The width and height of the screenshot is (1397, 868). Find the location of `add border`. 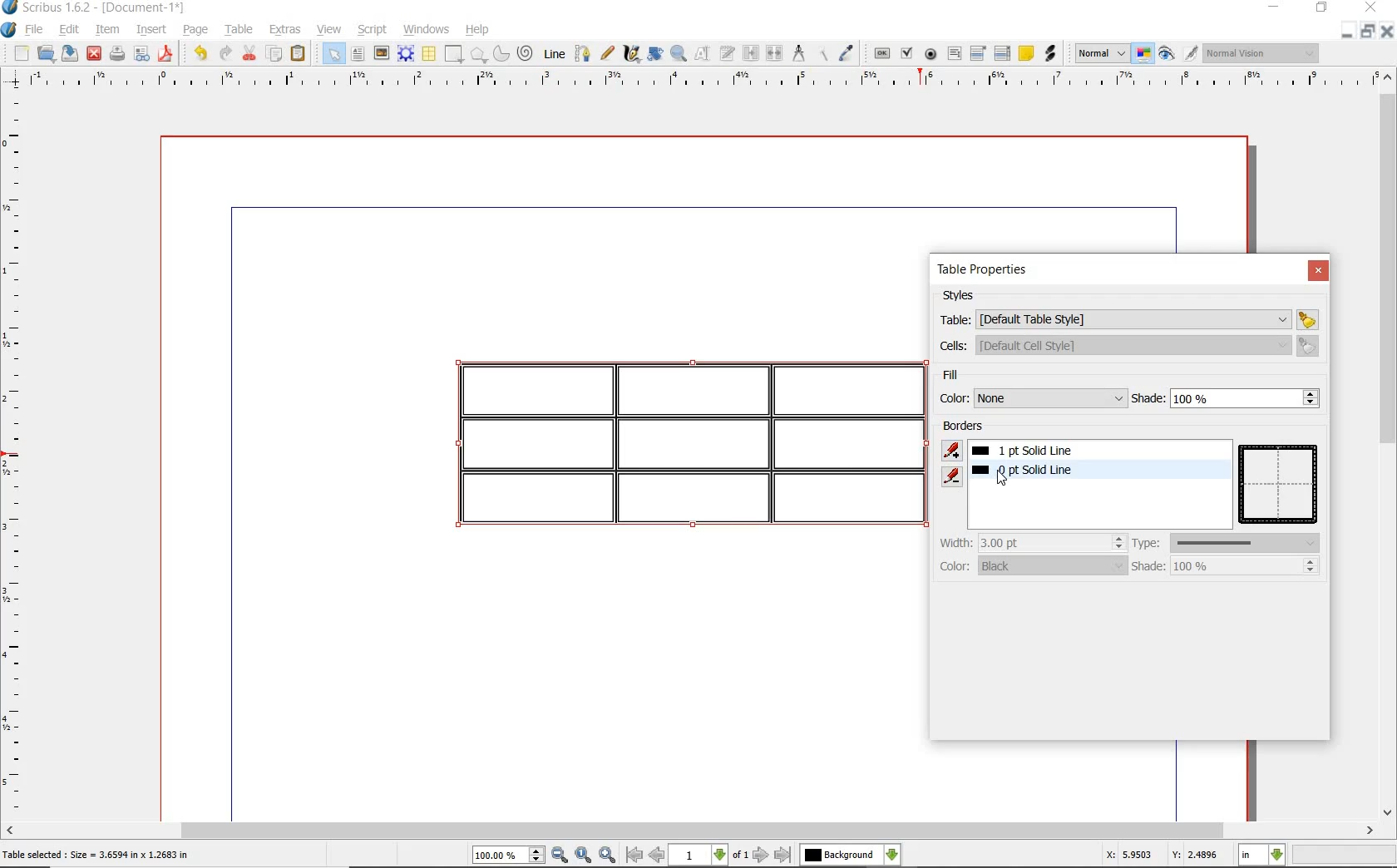

add border is located at coordinates (954, 450).